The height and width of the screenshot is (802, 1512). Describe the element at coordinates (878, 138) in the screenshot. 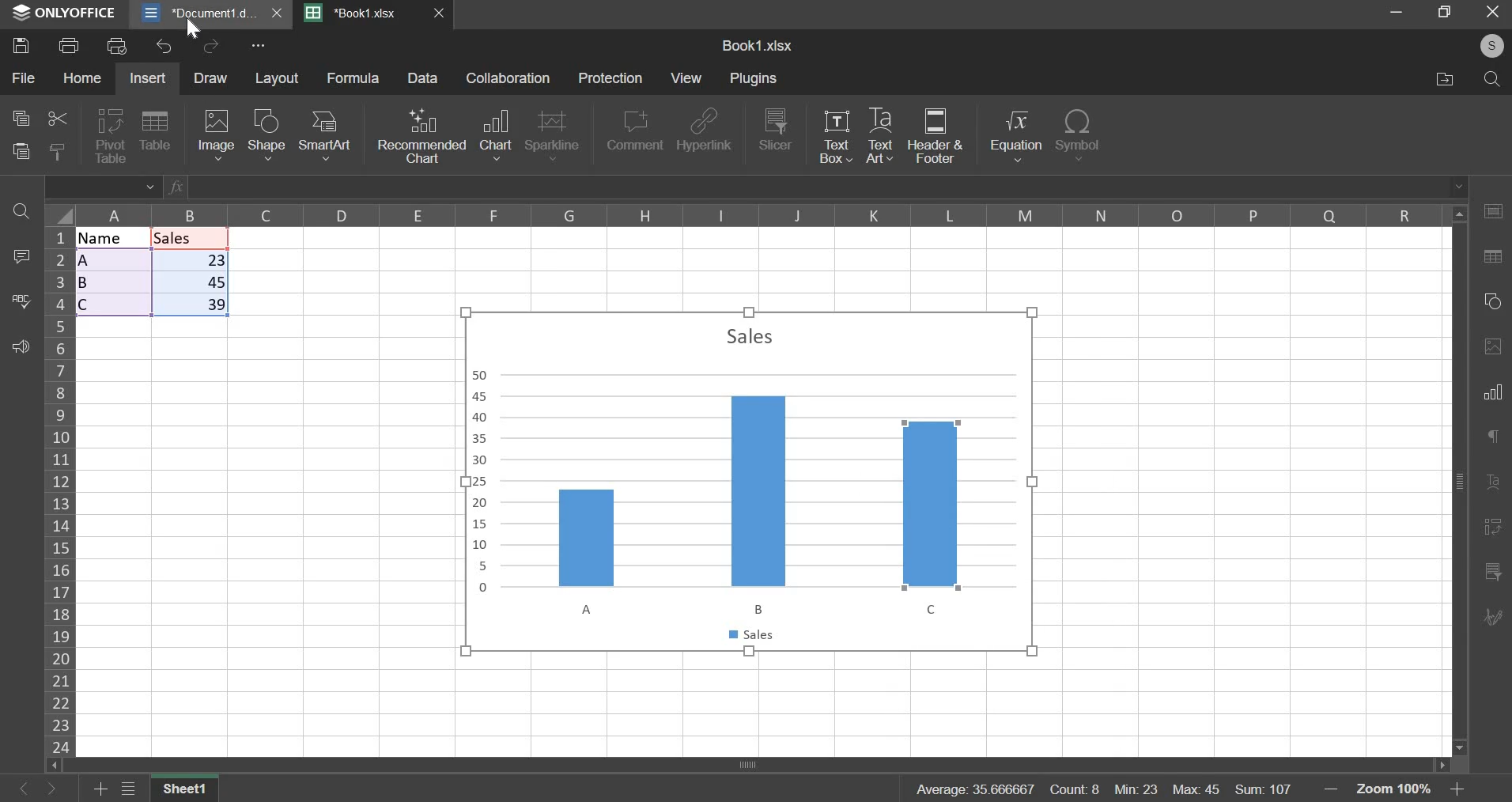

I see `text art` at that location.